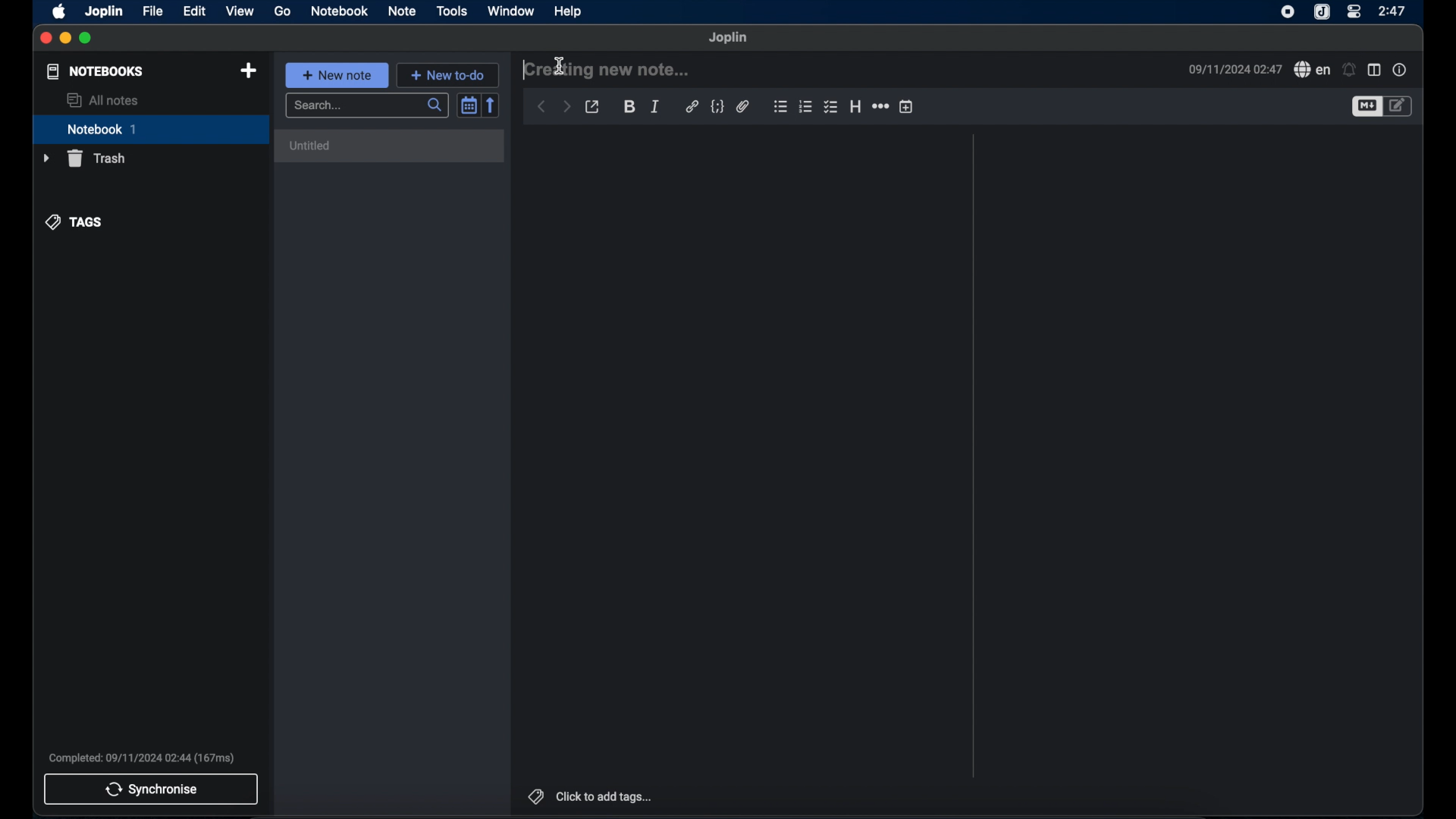 This screenshot has width=1456, height=819. Describe the element at coordinates (1311, 69) in the screenshot. I see `spell check` at that location.